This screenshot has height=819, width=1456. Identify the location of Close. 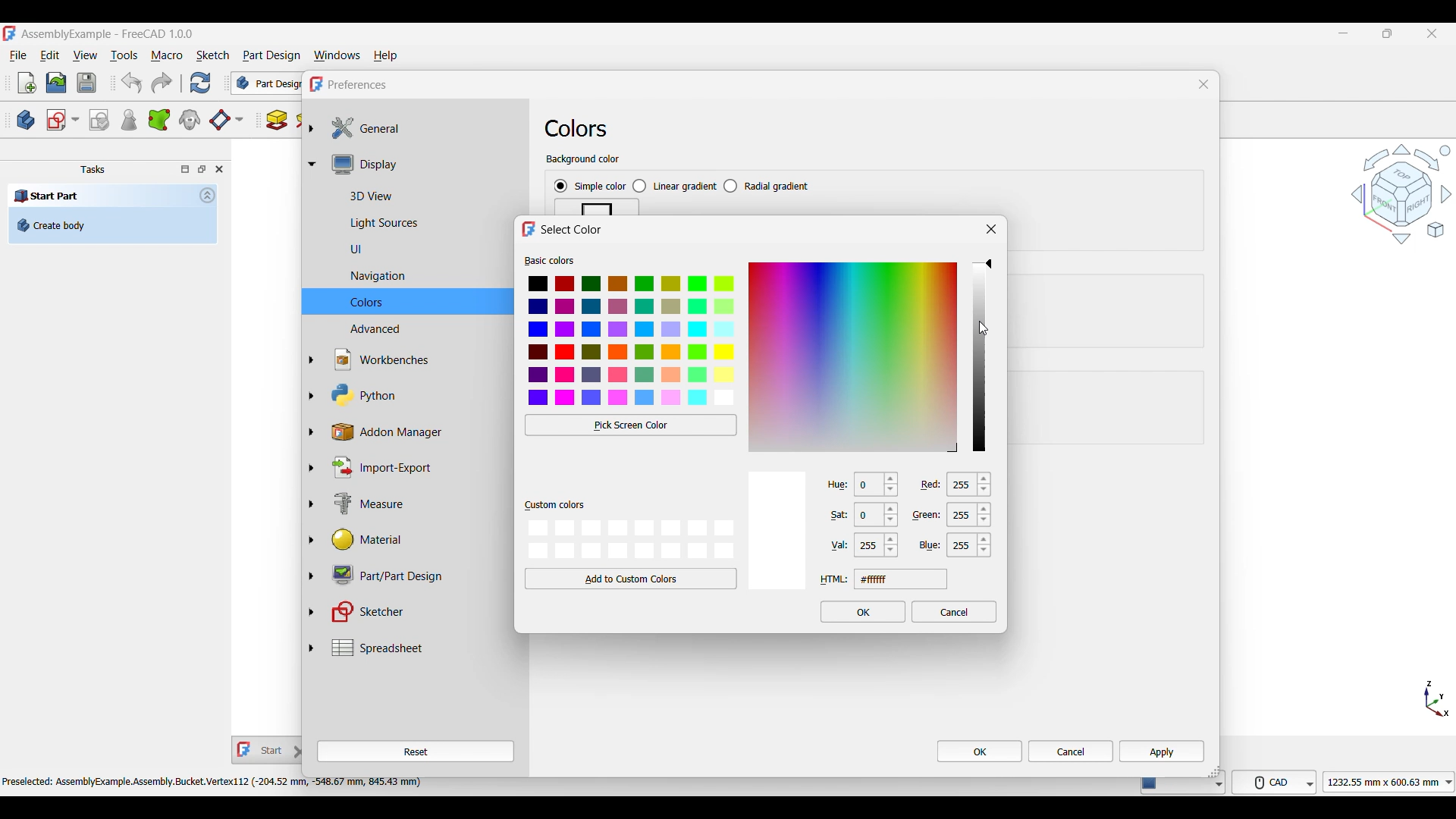
(1203, 84).